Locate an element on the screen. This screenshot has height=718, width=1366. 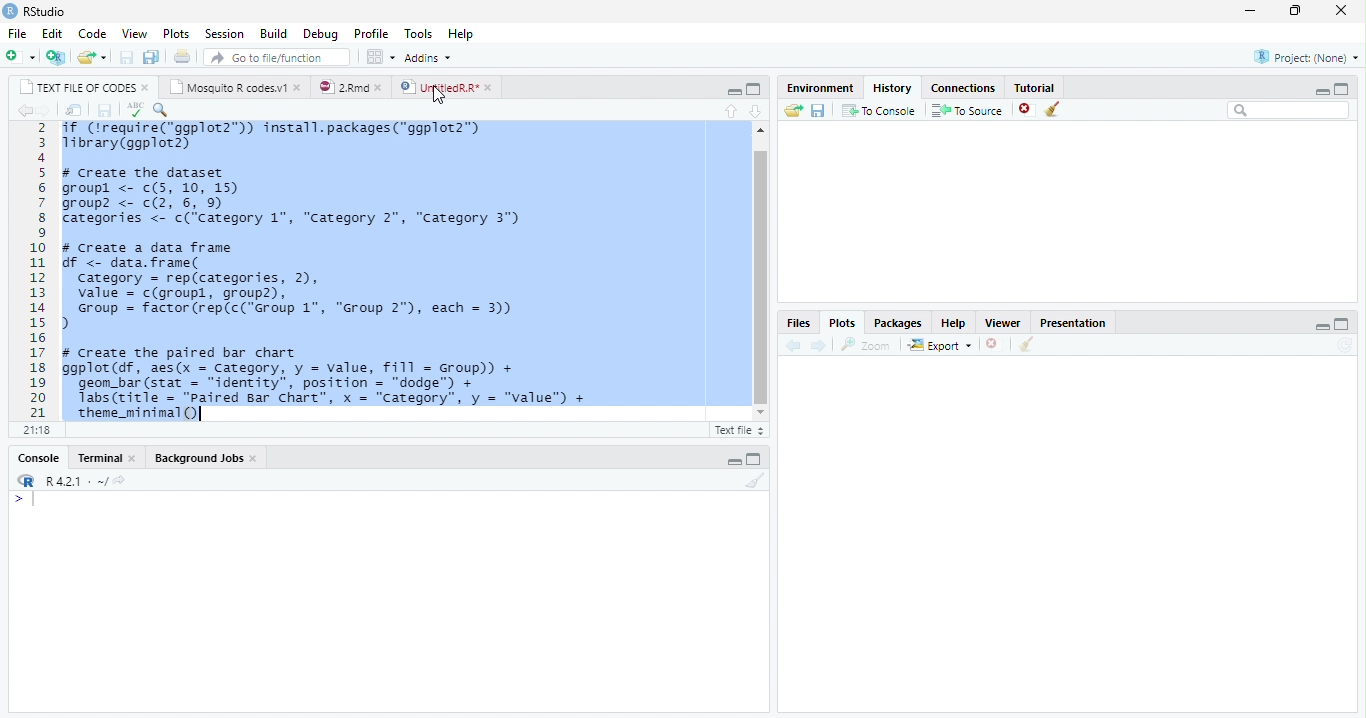
show in new window is located at coordinates (73, 110).